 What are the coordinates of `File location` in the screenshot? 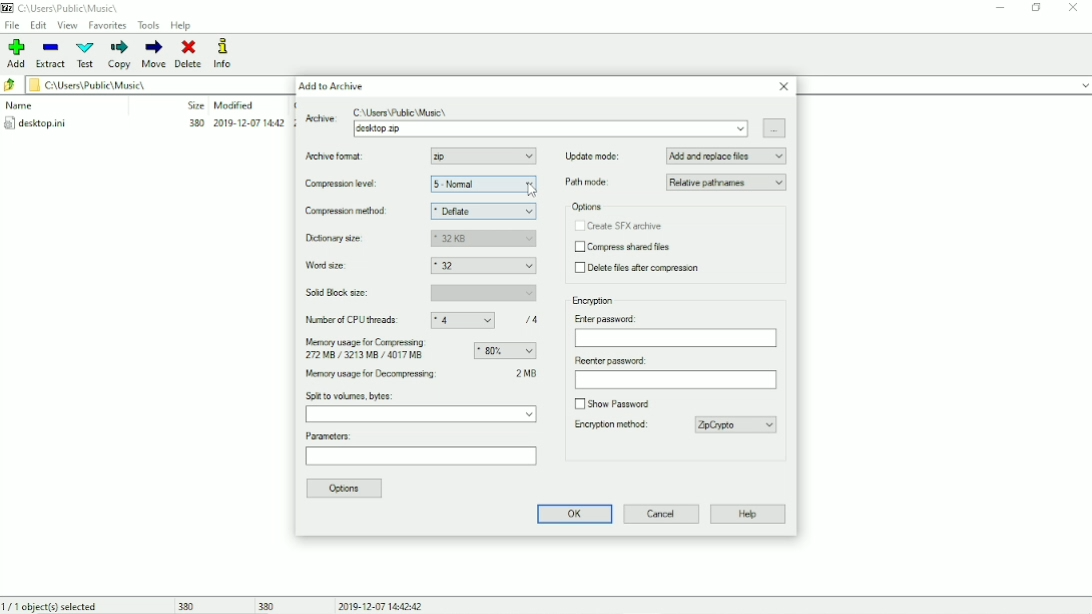 It's located at (152, 84).